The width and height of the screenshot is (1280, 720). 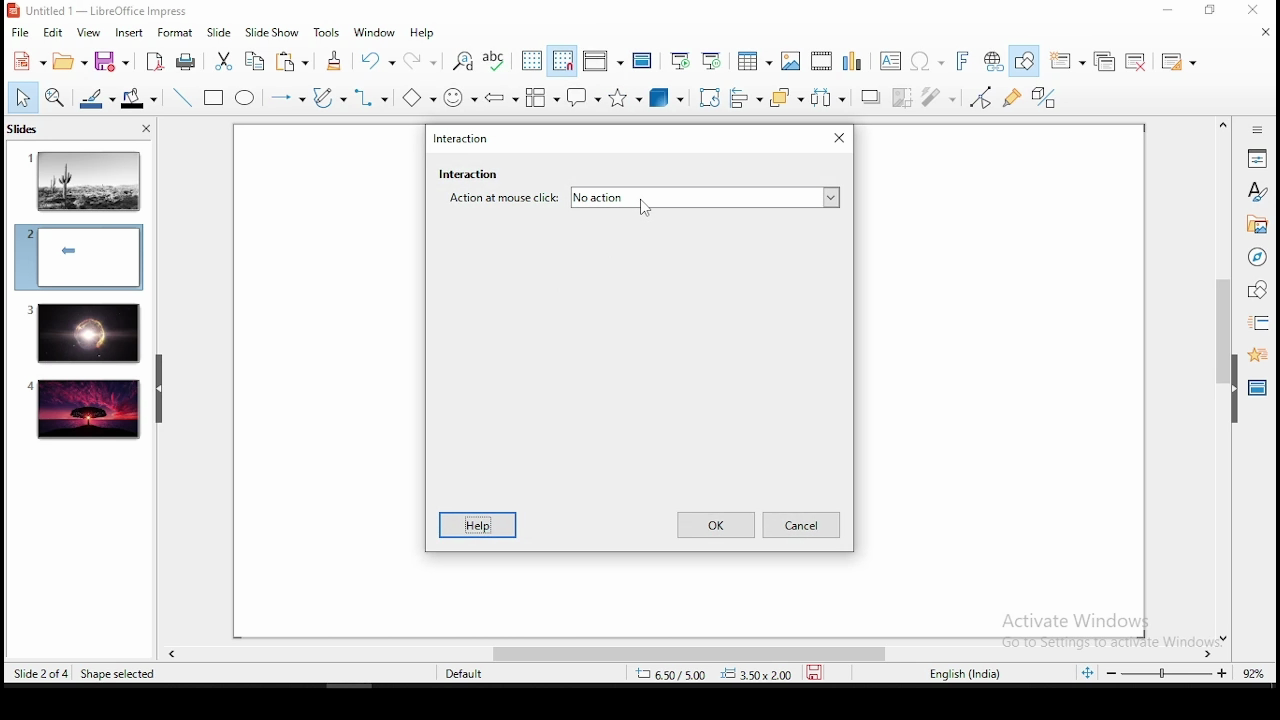 I want to click on close, so click(x=1267, y=32).